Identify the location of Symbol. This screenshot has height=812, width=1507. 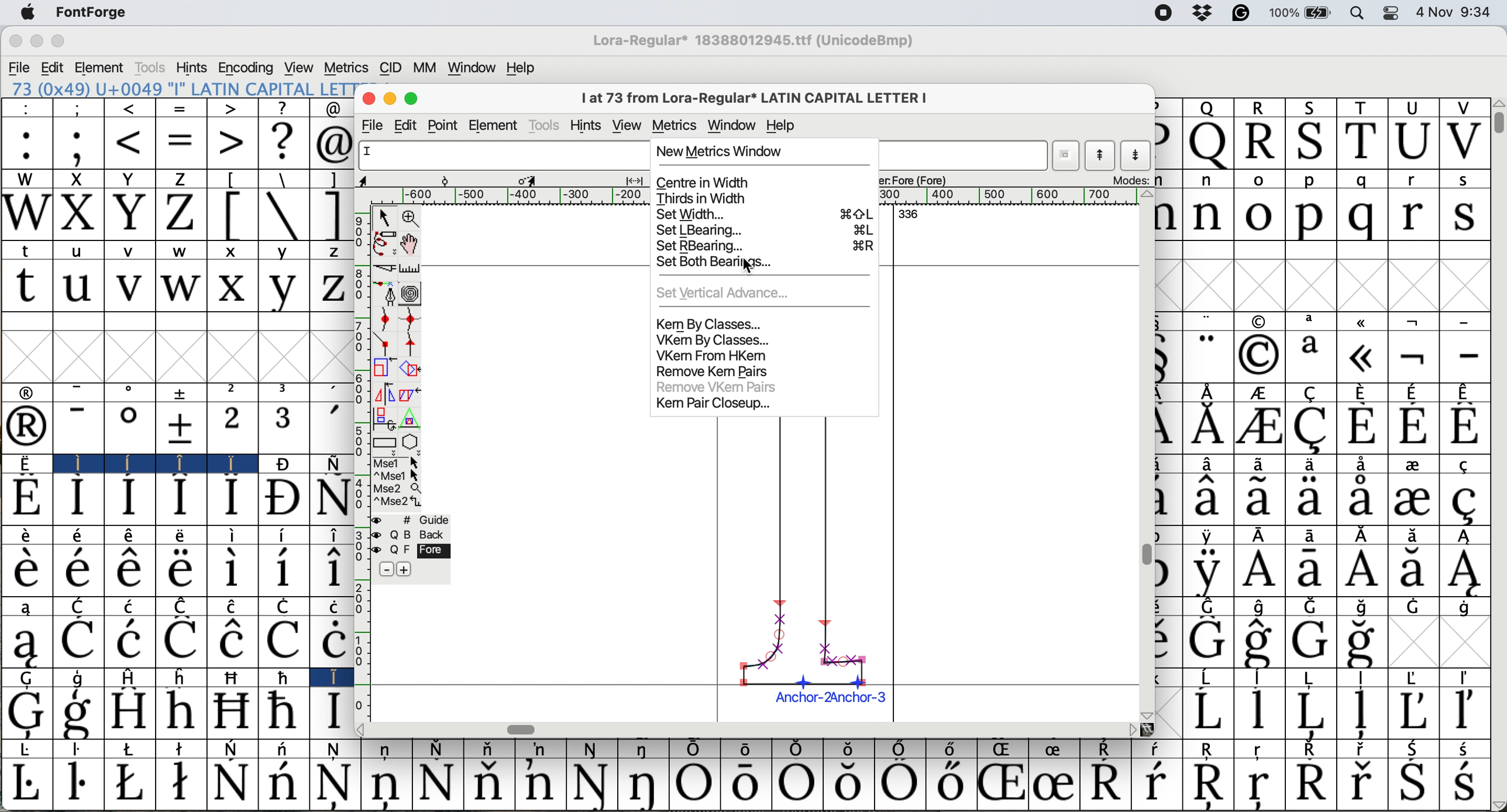
(282, 711).